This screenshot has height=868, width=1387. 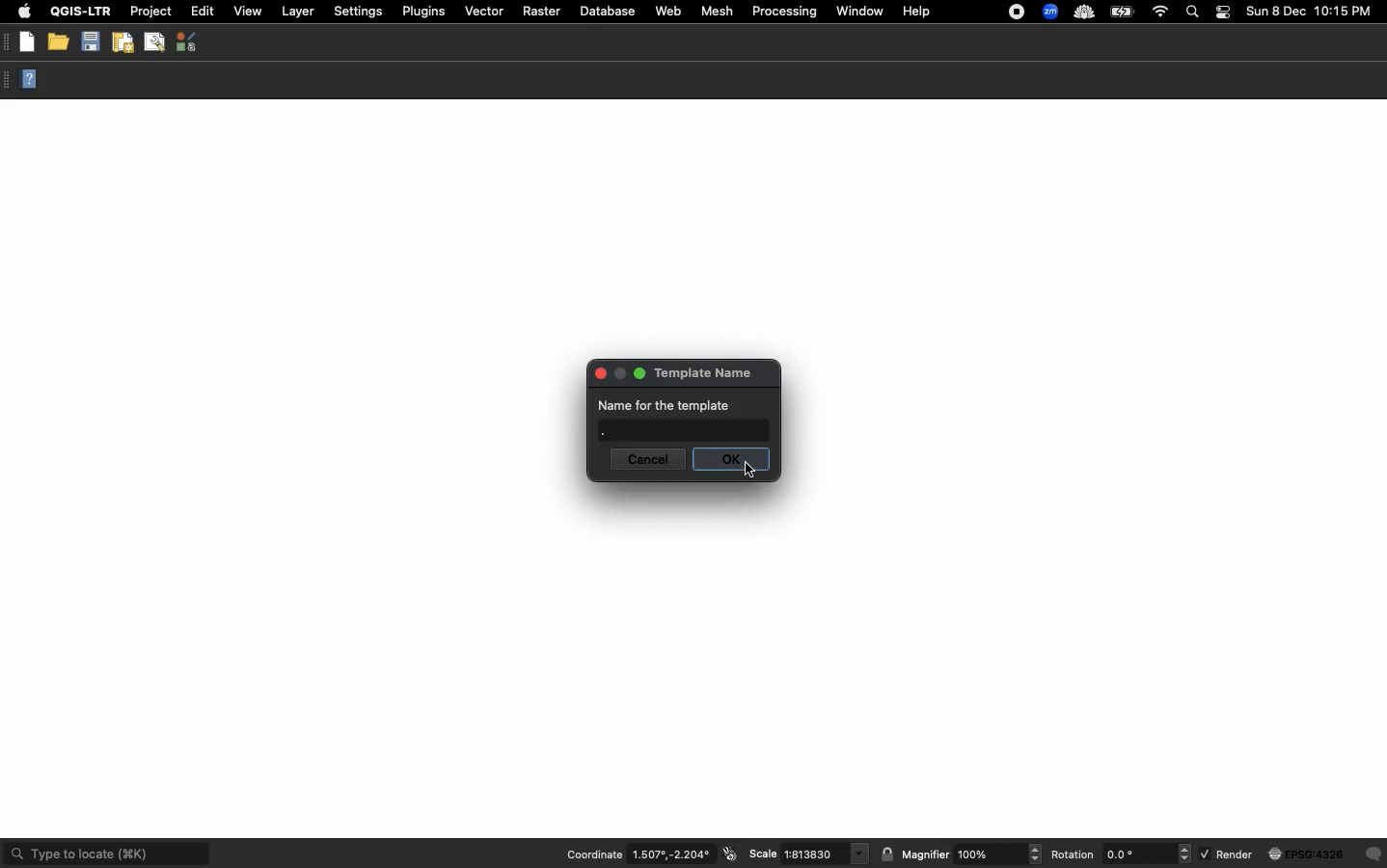 I want to click on Cancel, so click(x=645, y=460).